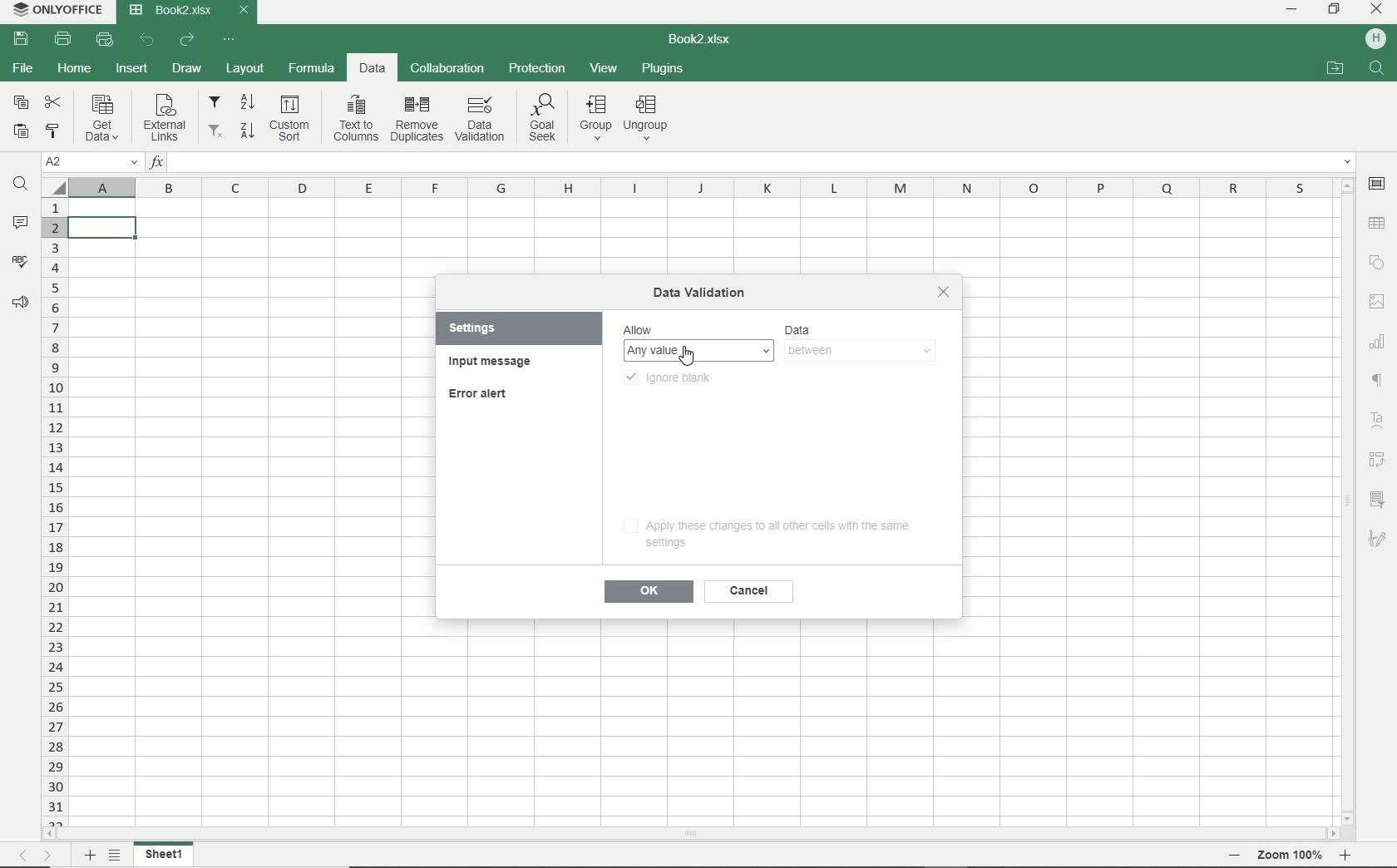 Image resolution: width=1397 pixels, height=868 pixels. I want to click on SELECTED cell, so click(104, 227).